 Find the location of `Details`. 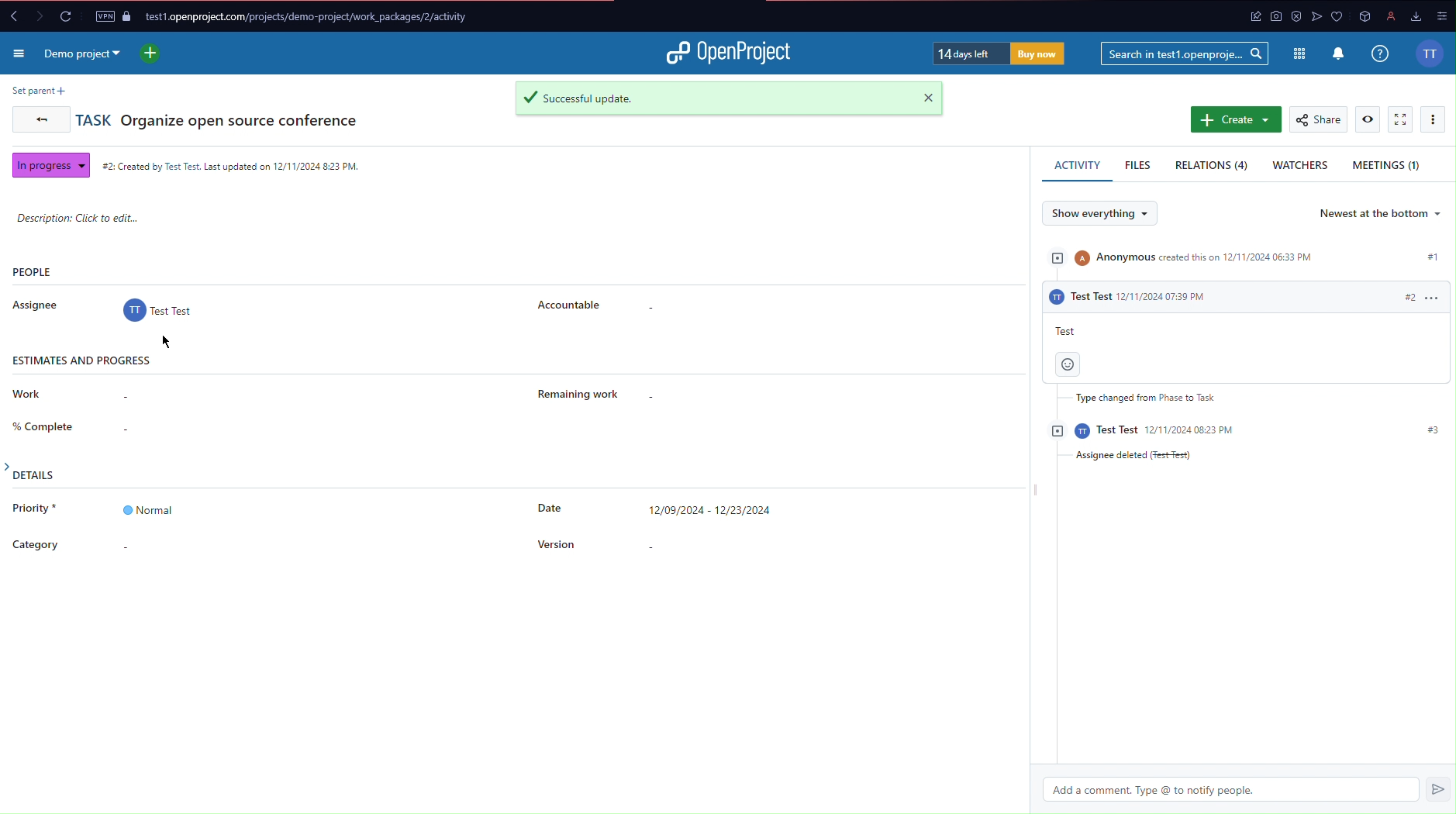

Details is located at coordinates (39, 469).